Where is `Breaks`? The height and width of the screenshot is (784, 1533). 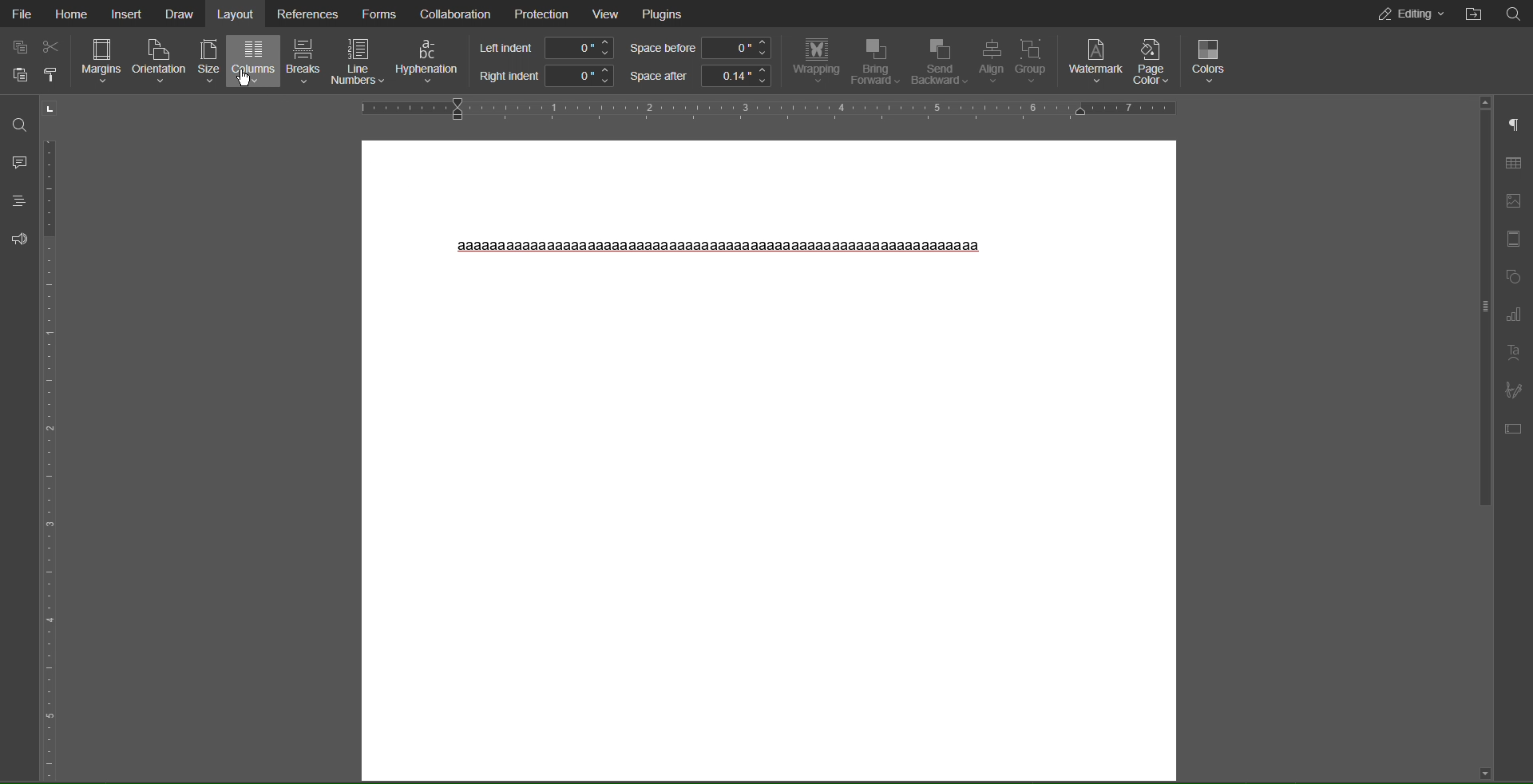
Breaks is located at coordinates (303, 63).